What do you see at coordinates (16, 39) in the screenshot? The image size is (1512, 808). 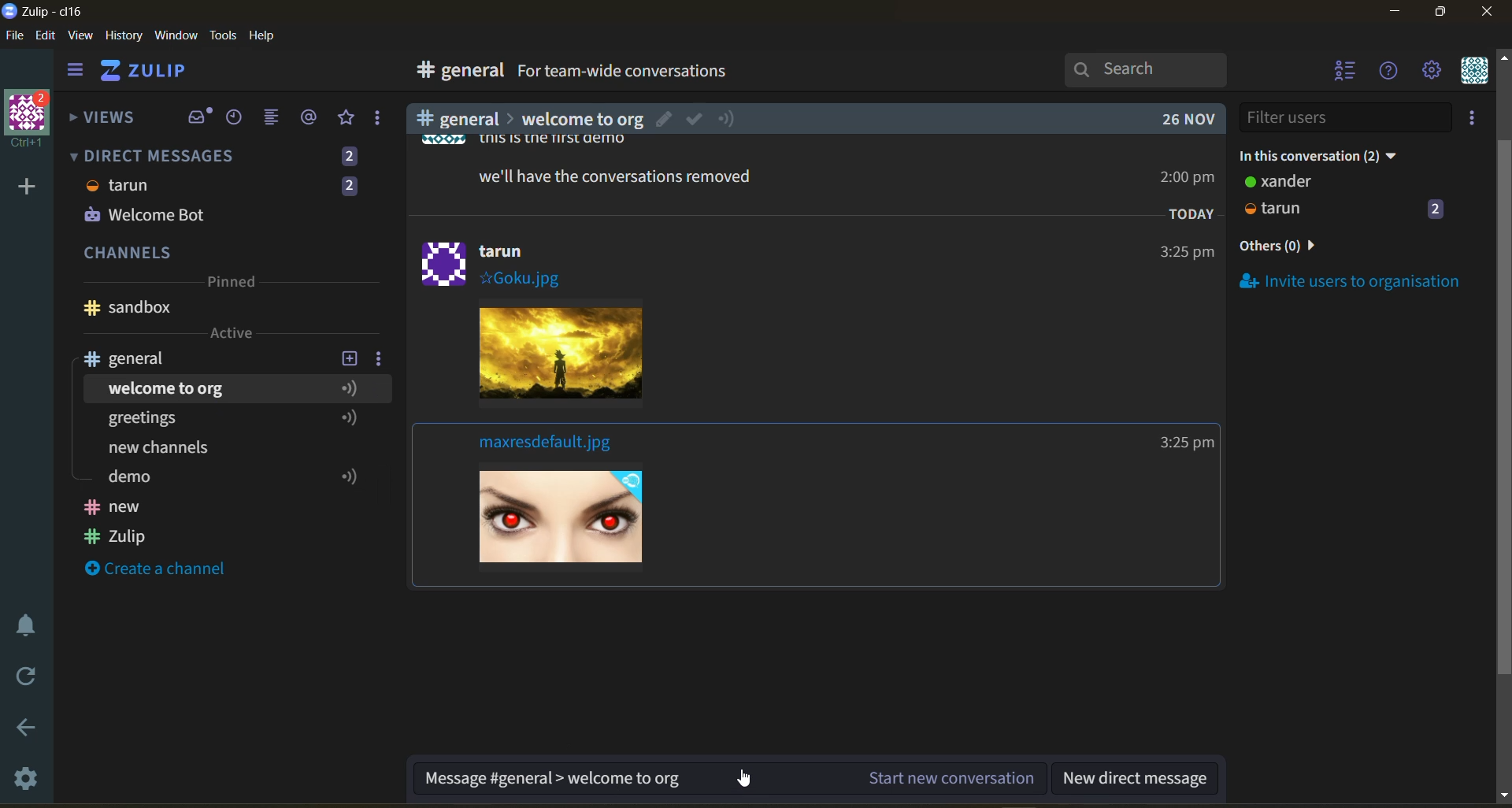 I see `file` at bounding box center [16, 39].